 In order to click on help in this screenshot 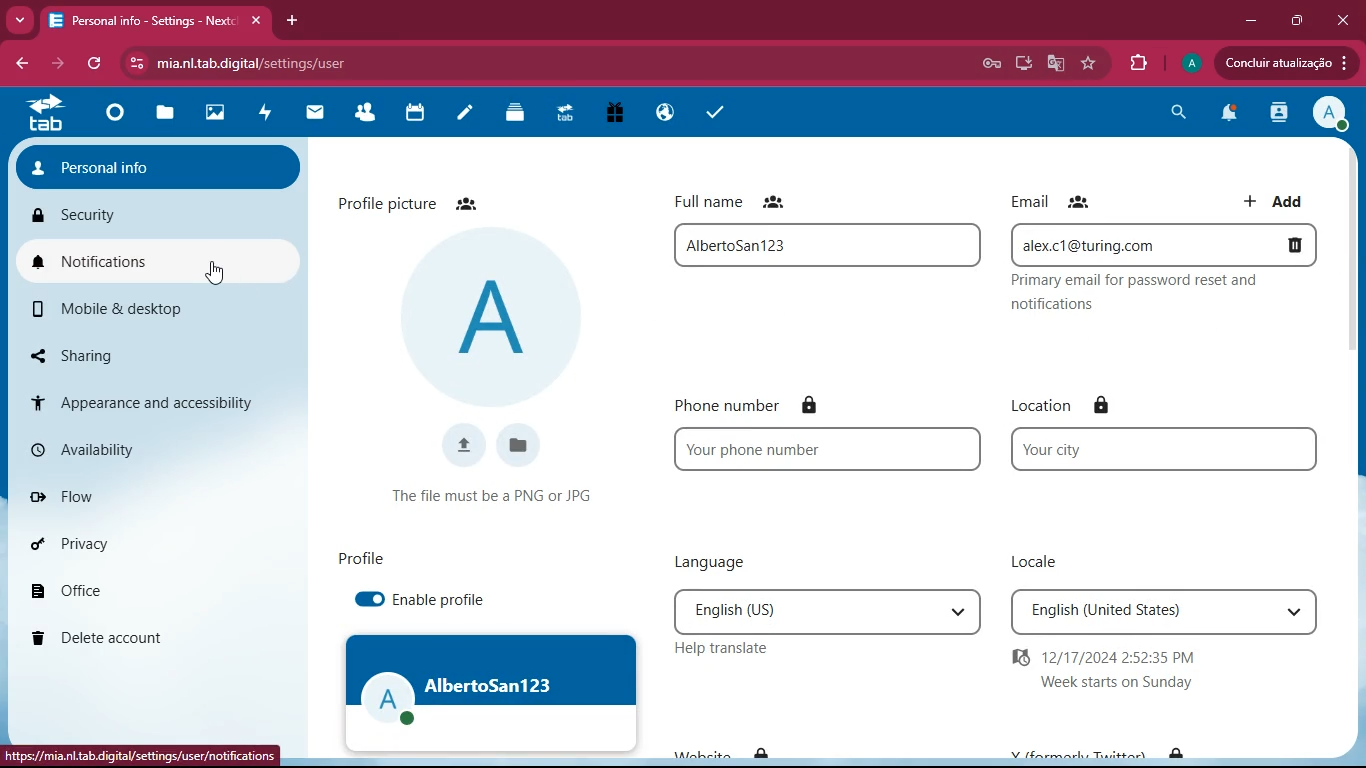, I will do `click(726, 650)`.